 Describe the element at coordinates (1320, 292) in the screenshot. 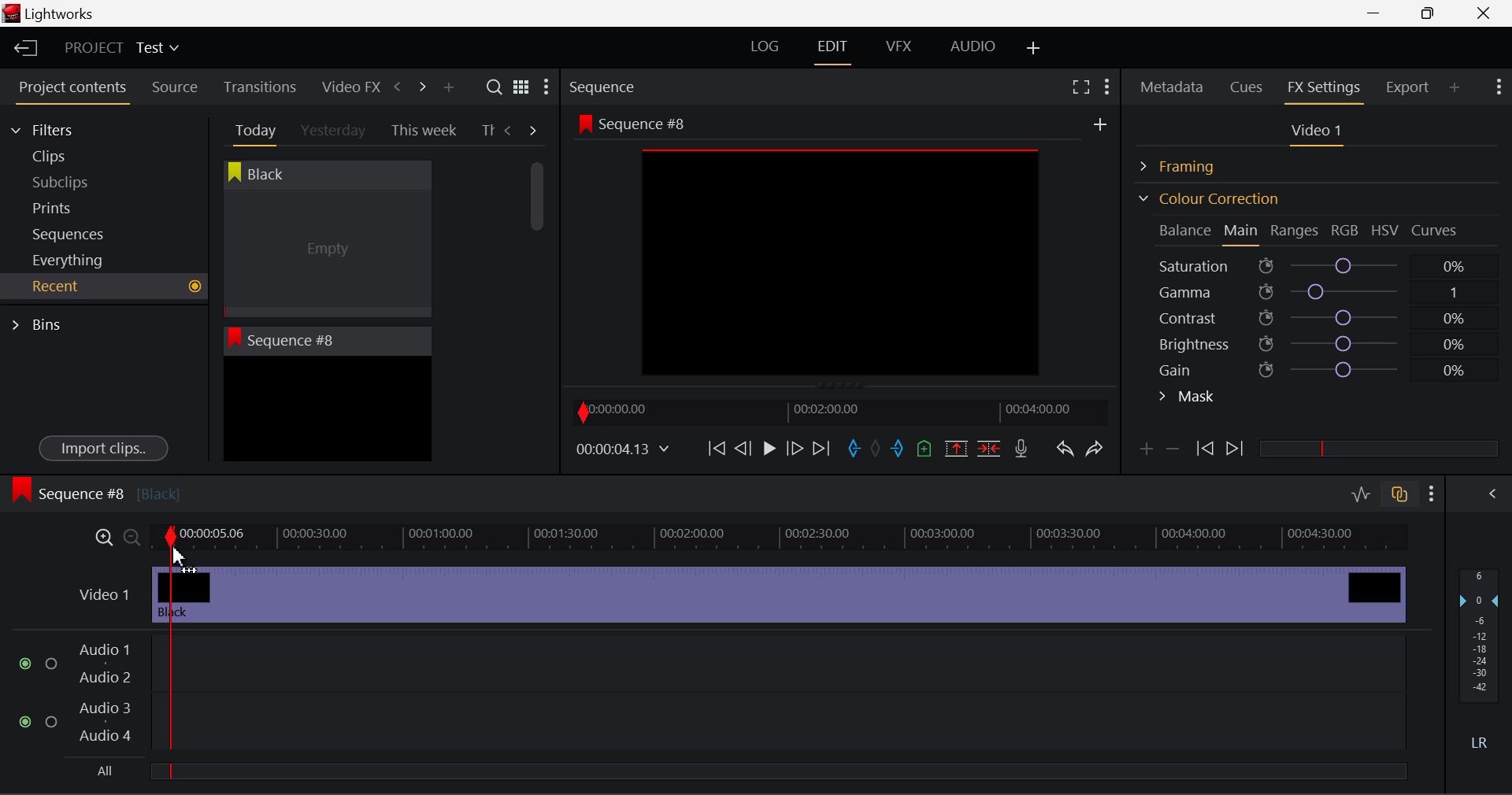

I see `Gamma` at that location.